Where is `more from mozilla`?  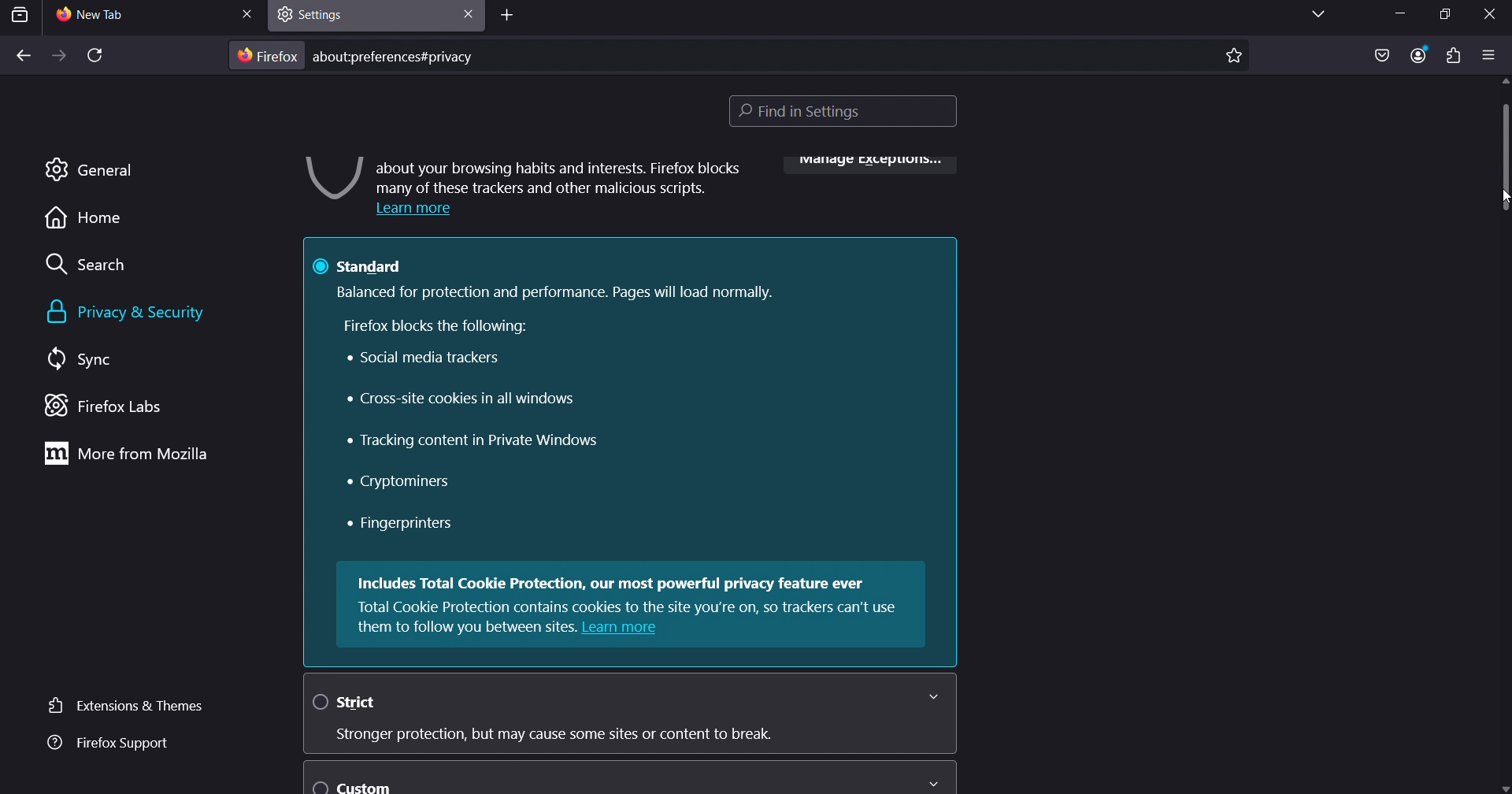
more from mozilla is located at coordinates (131, 455).